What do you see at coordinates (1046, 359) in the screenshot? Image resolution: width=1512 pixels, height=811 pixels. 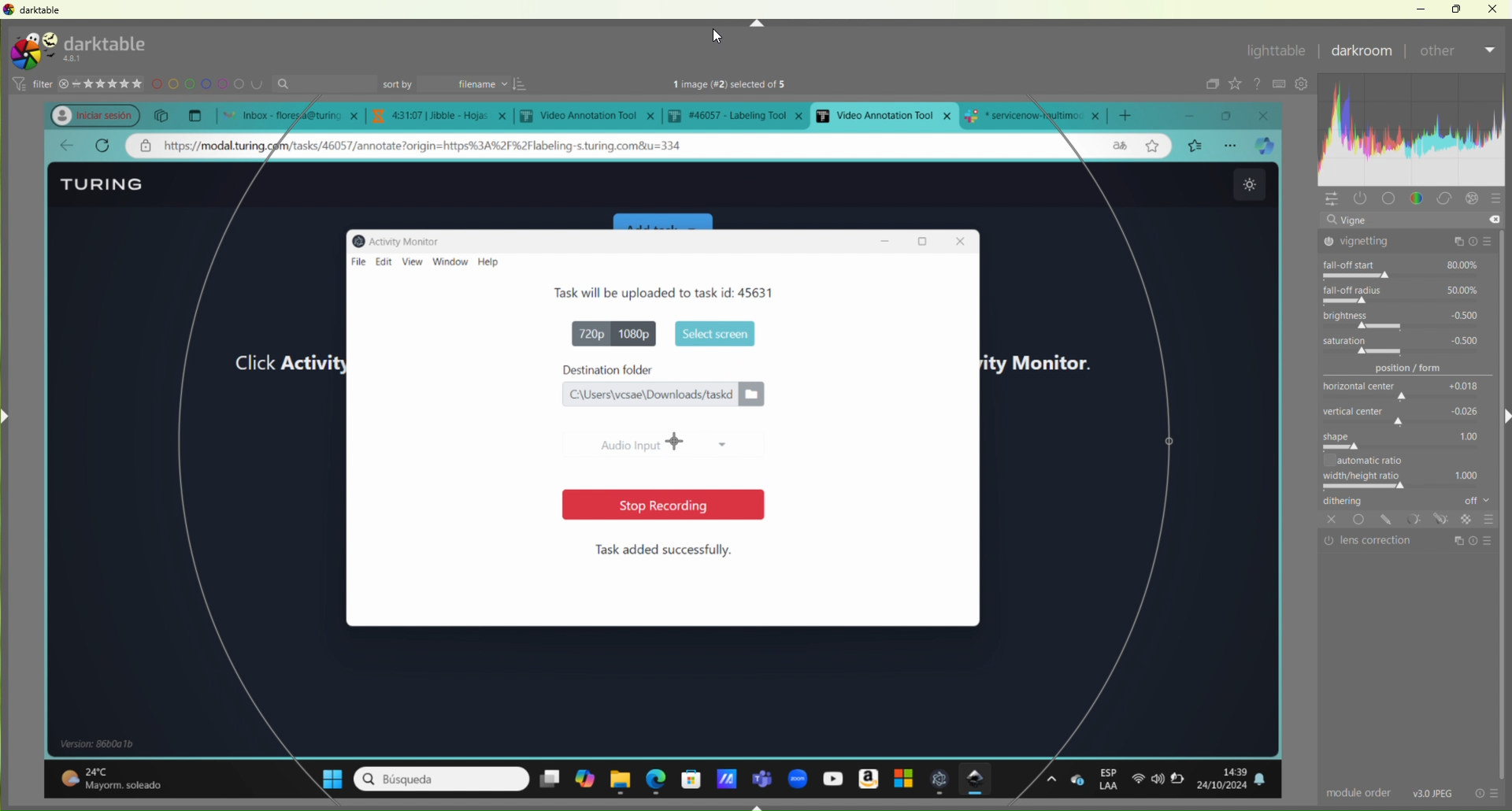 I see `activity monitor` at bounding box center [1046, 359].